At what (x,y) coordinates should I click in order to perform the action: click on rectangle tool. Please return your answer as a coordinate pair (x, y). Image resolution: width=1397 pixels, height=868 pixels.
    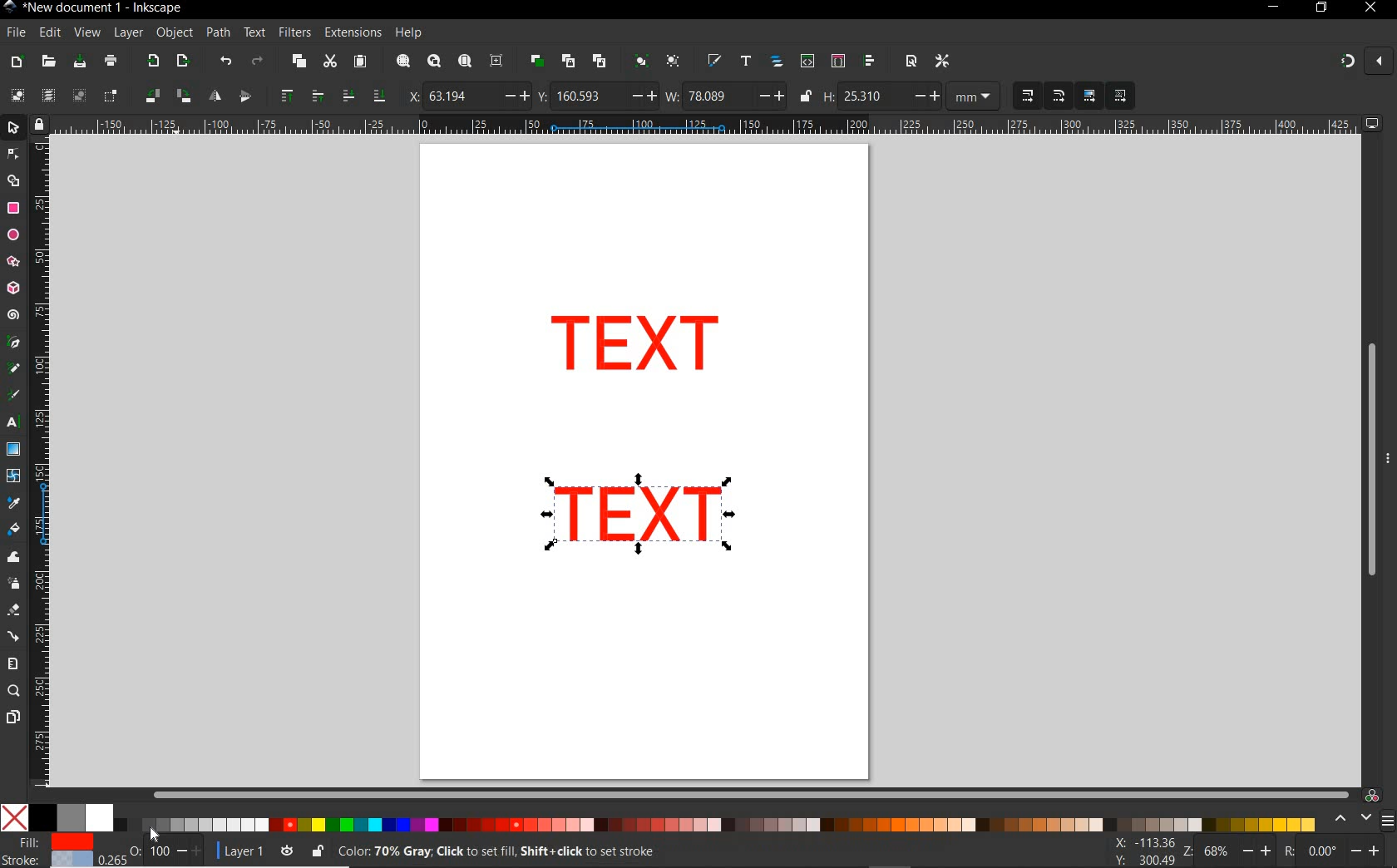
    Looking at the image, I should click on (13, 208).